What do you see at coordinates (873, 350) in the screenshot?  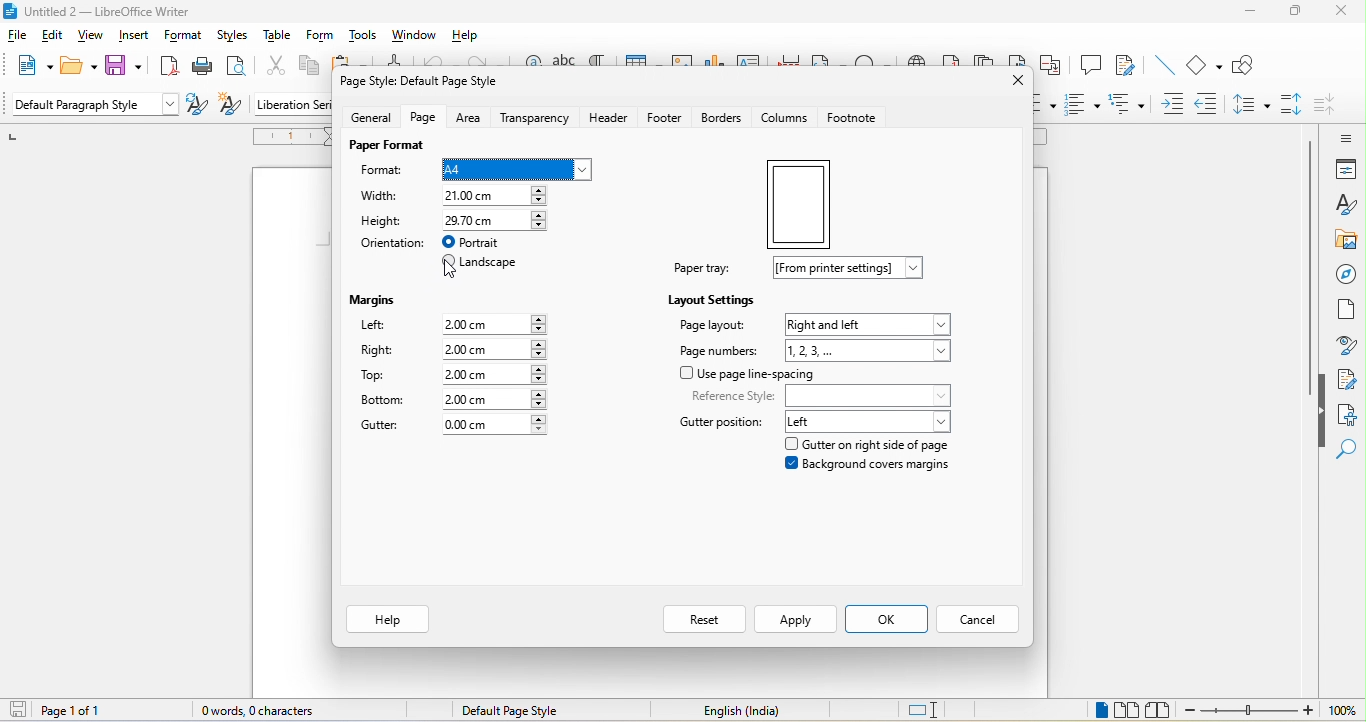 I see `1,2,3` at bounding box center [873, 350].